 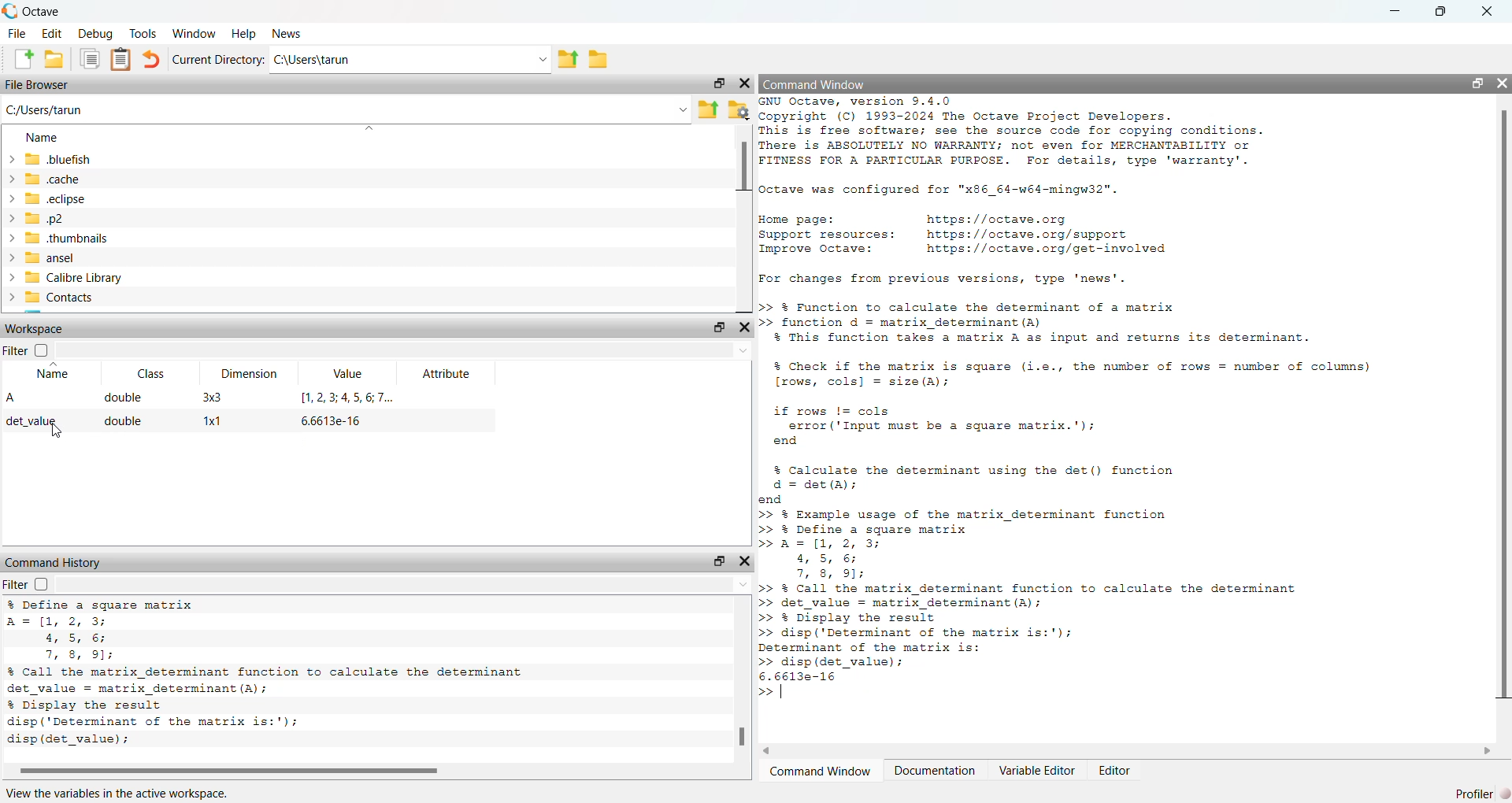 I want to click on close, so click(x=1501, y=84).